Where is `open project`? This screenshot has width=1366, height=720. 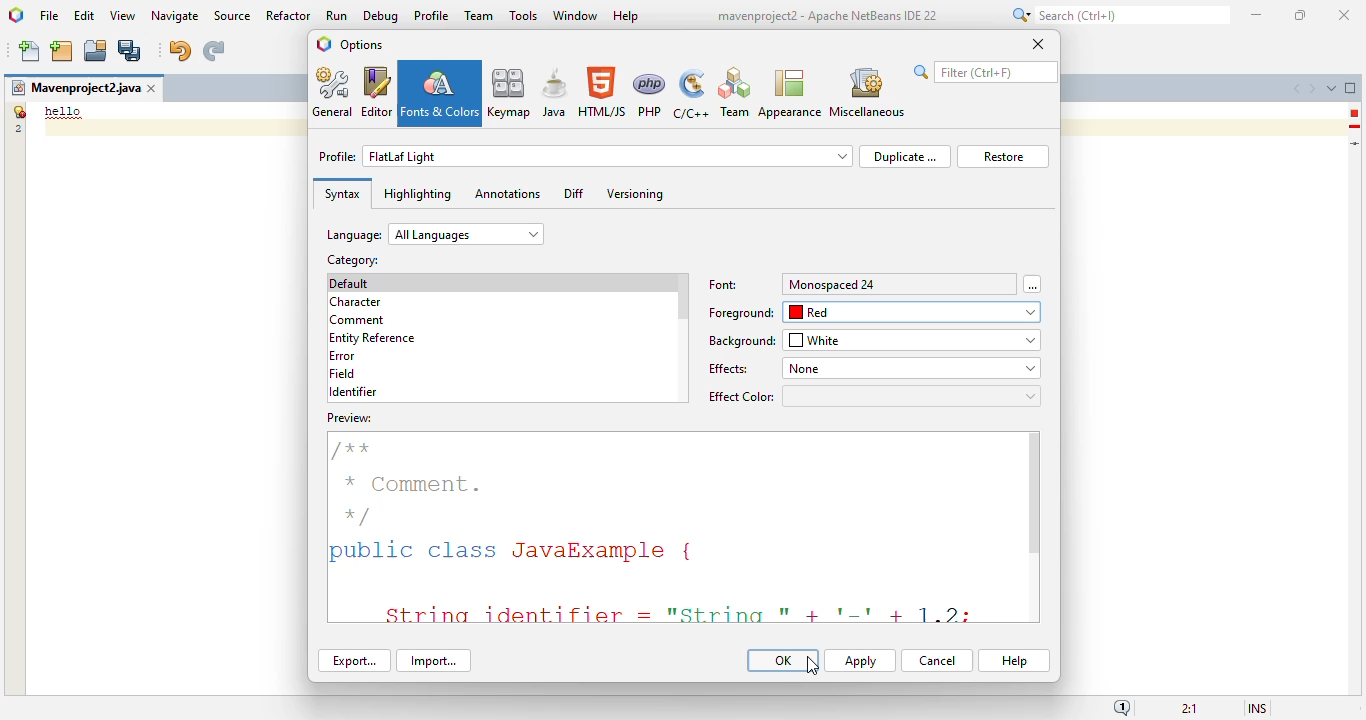
open project is located at coordinates (96, 51).